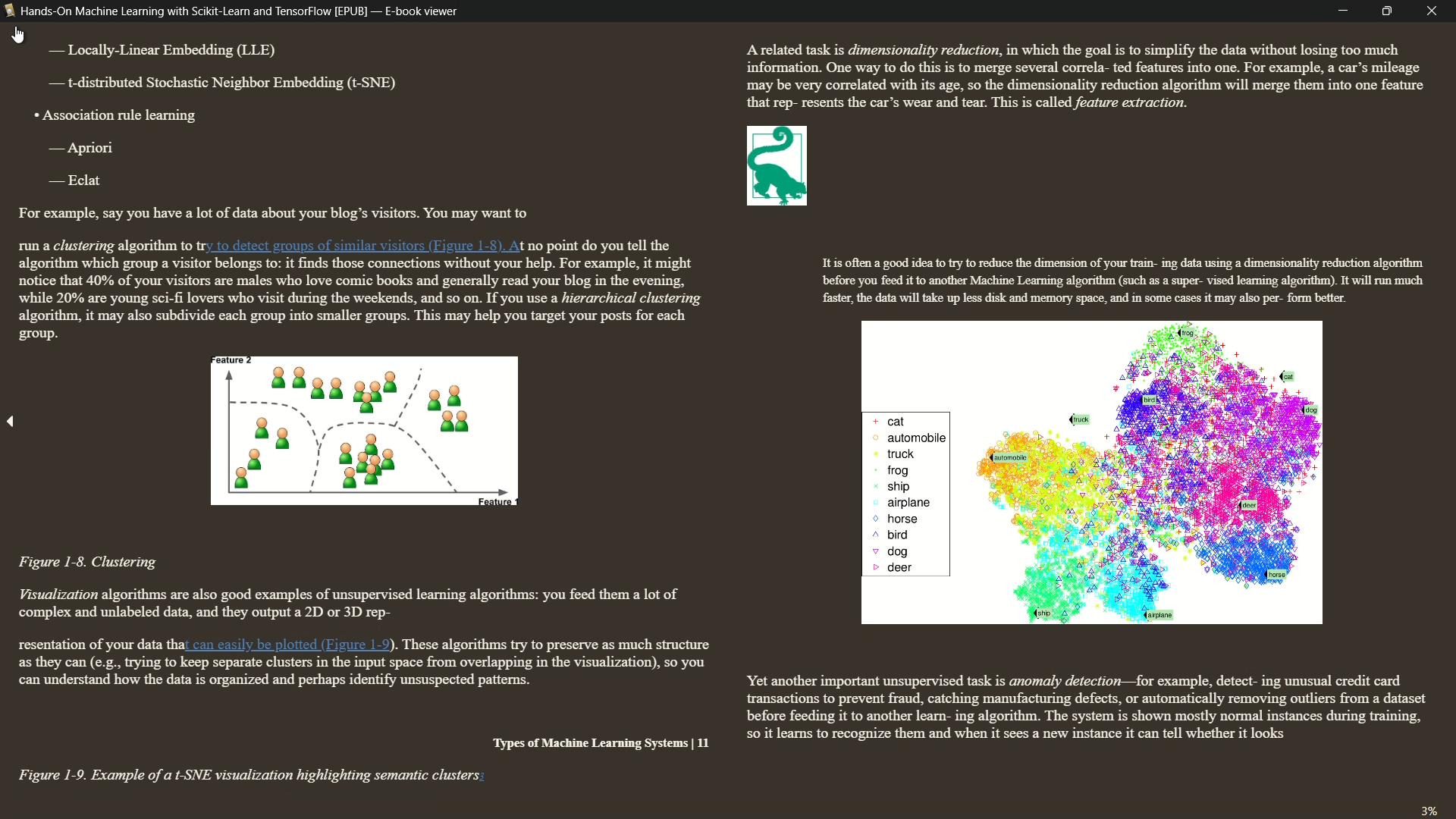  Describe the element at coordinates (421, 11) in the screenshot. I see `e-book viewer` at that location.